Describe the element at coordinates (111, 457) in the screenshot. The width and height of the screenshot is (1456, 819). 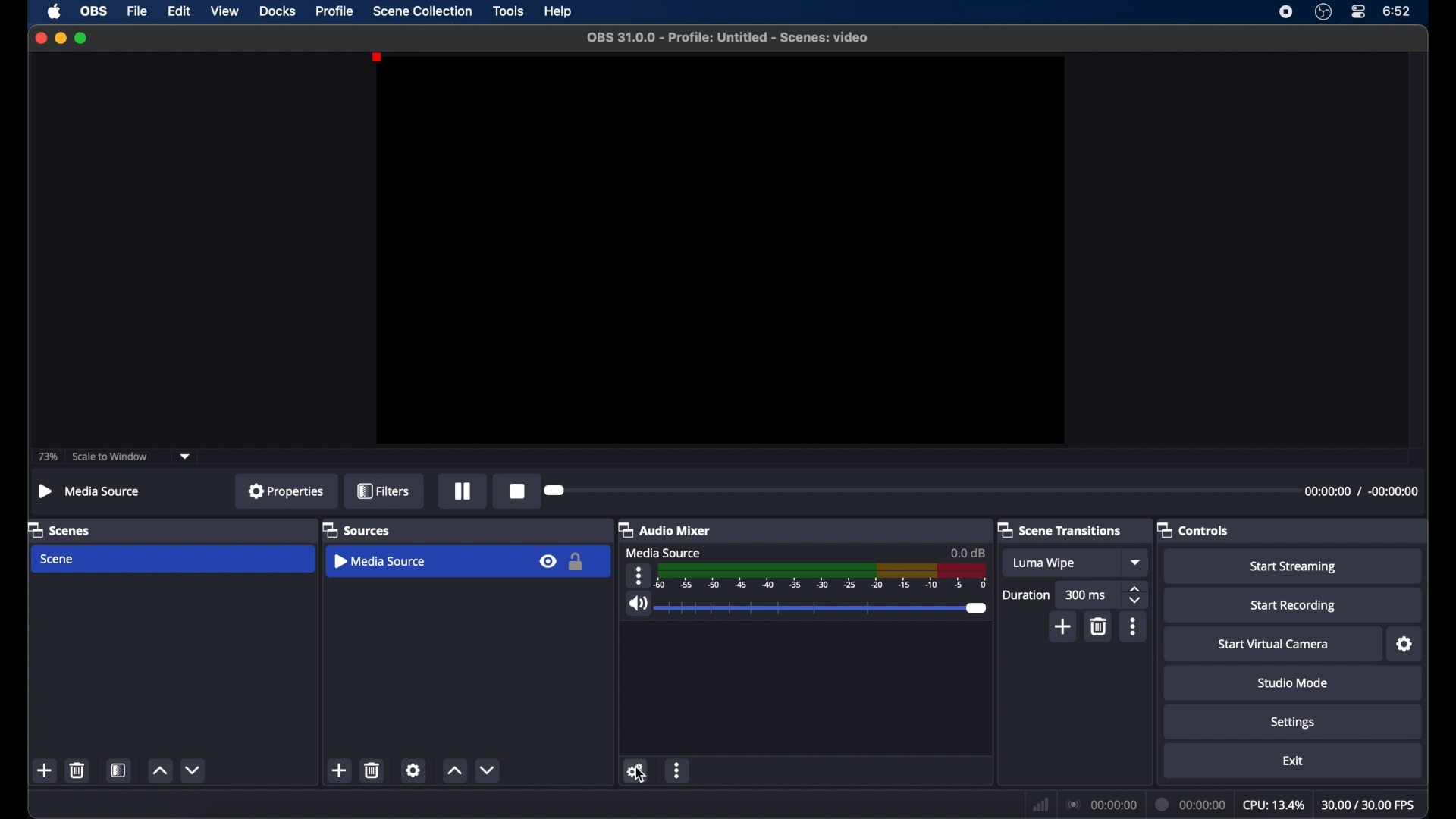
I see `scale to window` at that location.